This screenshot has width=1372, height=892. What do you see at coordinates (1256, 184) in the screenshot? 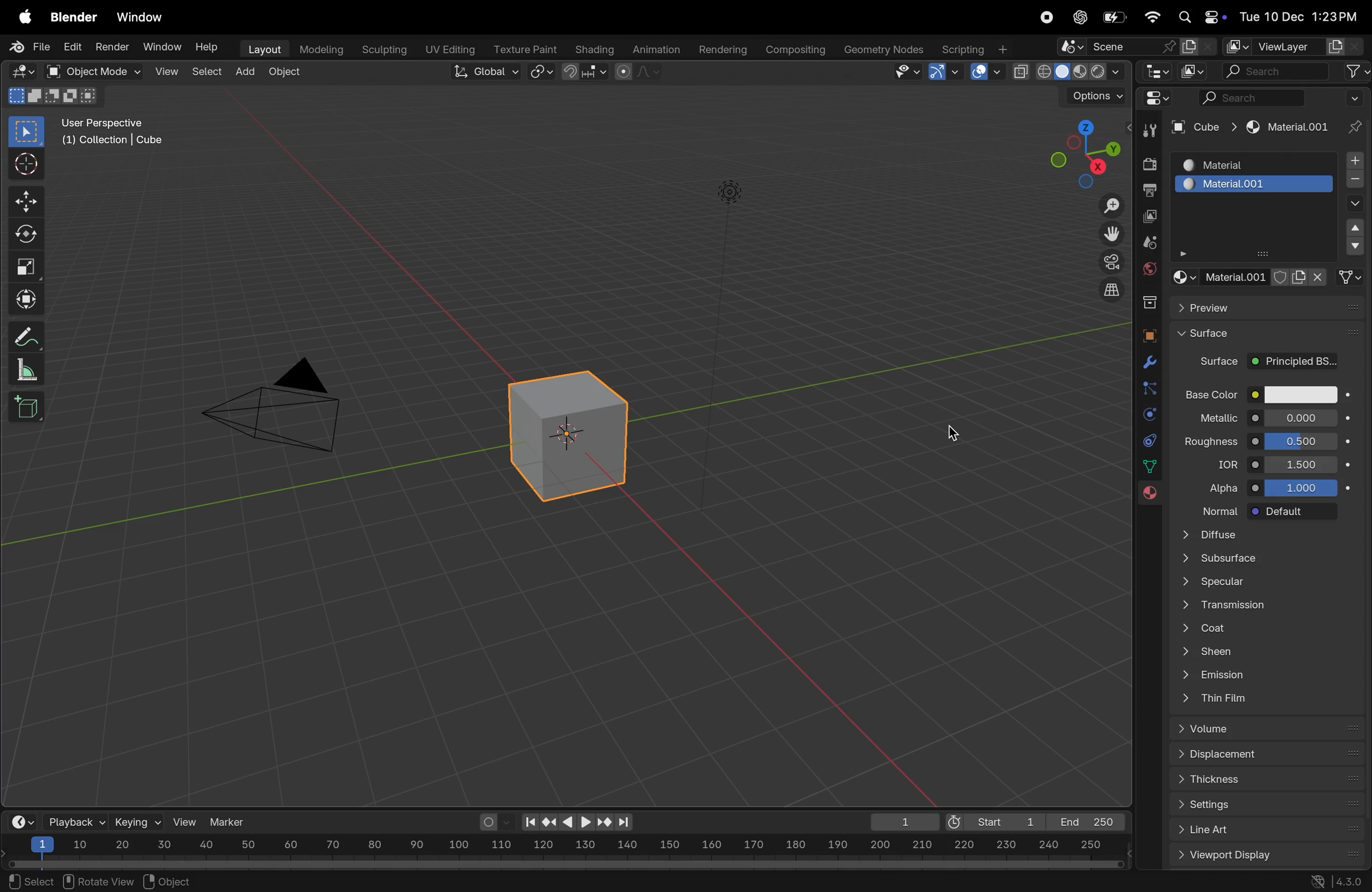
I see `matrerial 001` at bounding box center [1256, 184].